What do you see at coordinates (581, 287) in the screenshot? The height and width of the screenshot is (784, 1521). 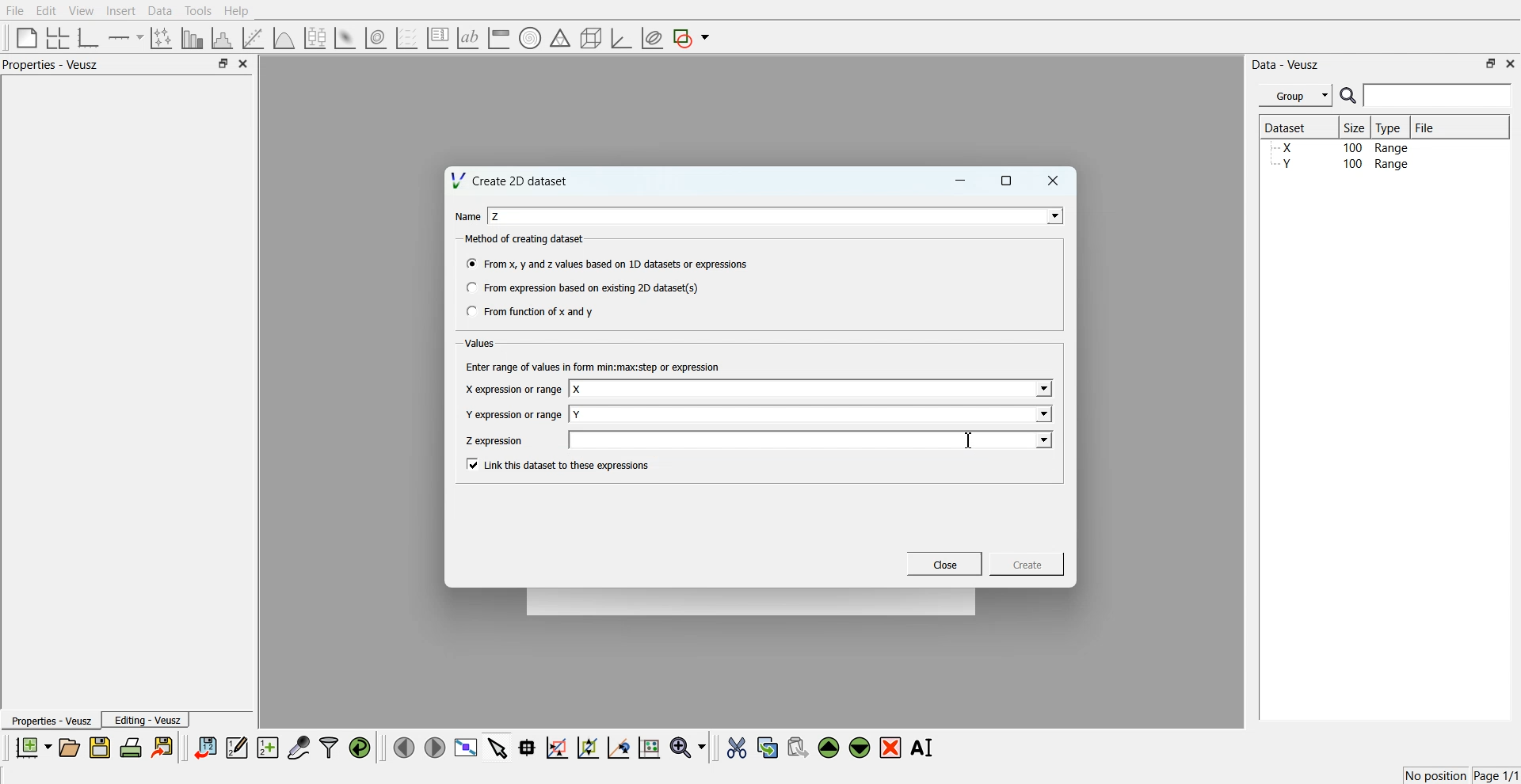 I see `Sl (7 From expression based on existing 2D dataset(s)` at bounding box center [581, 287].